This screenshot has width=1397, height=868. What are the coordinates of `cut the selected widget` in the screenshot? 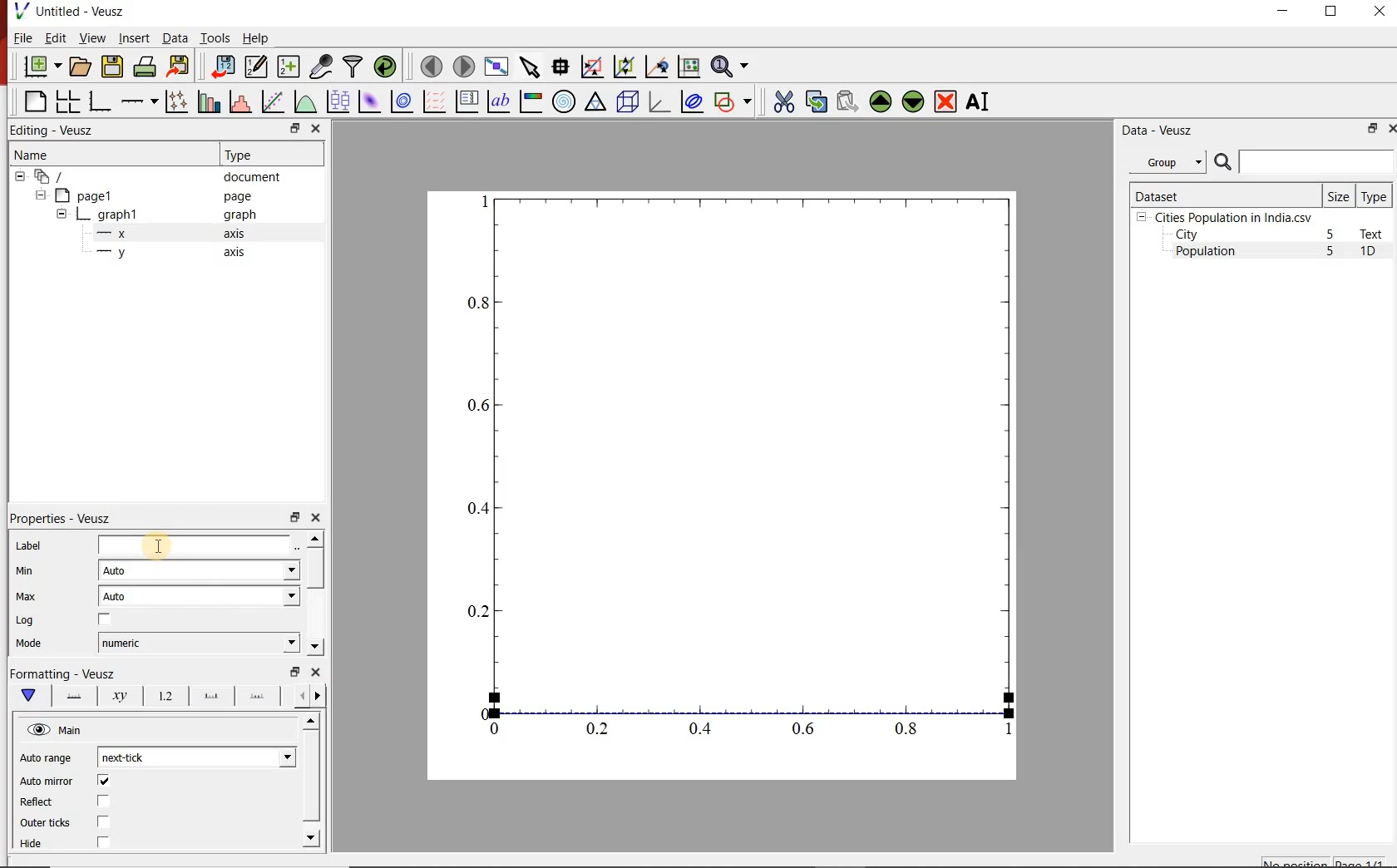 It's located at (781, 101).